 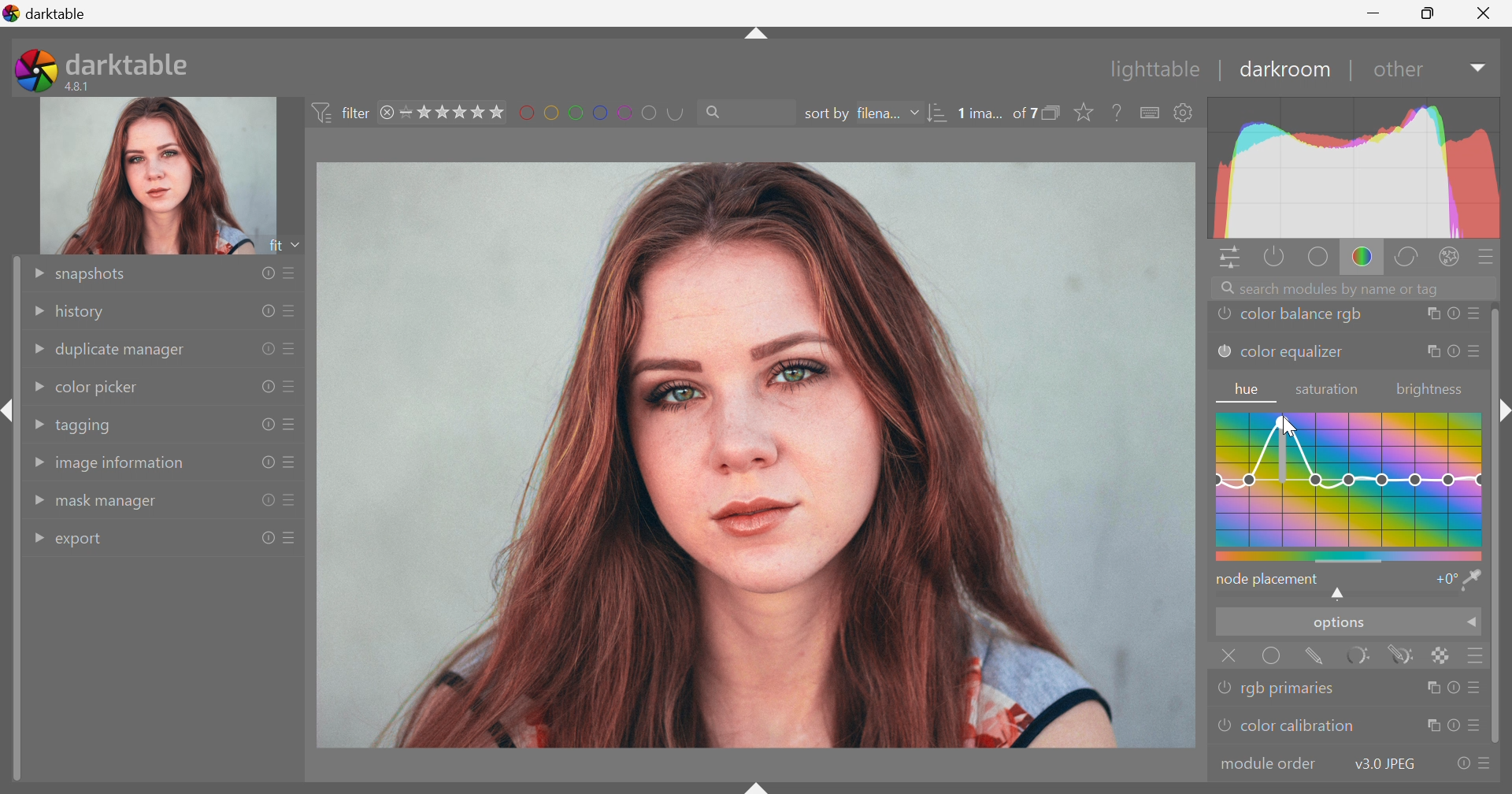 What do you see at coordinates (84, 313) in the screenshot?
I see `history` at bounding box center [84, 313].